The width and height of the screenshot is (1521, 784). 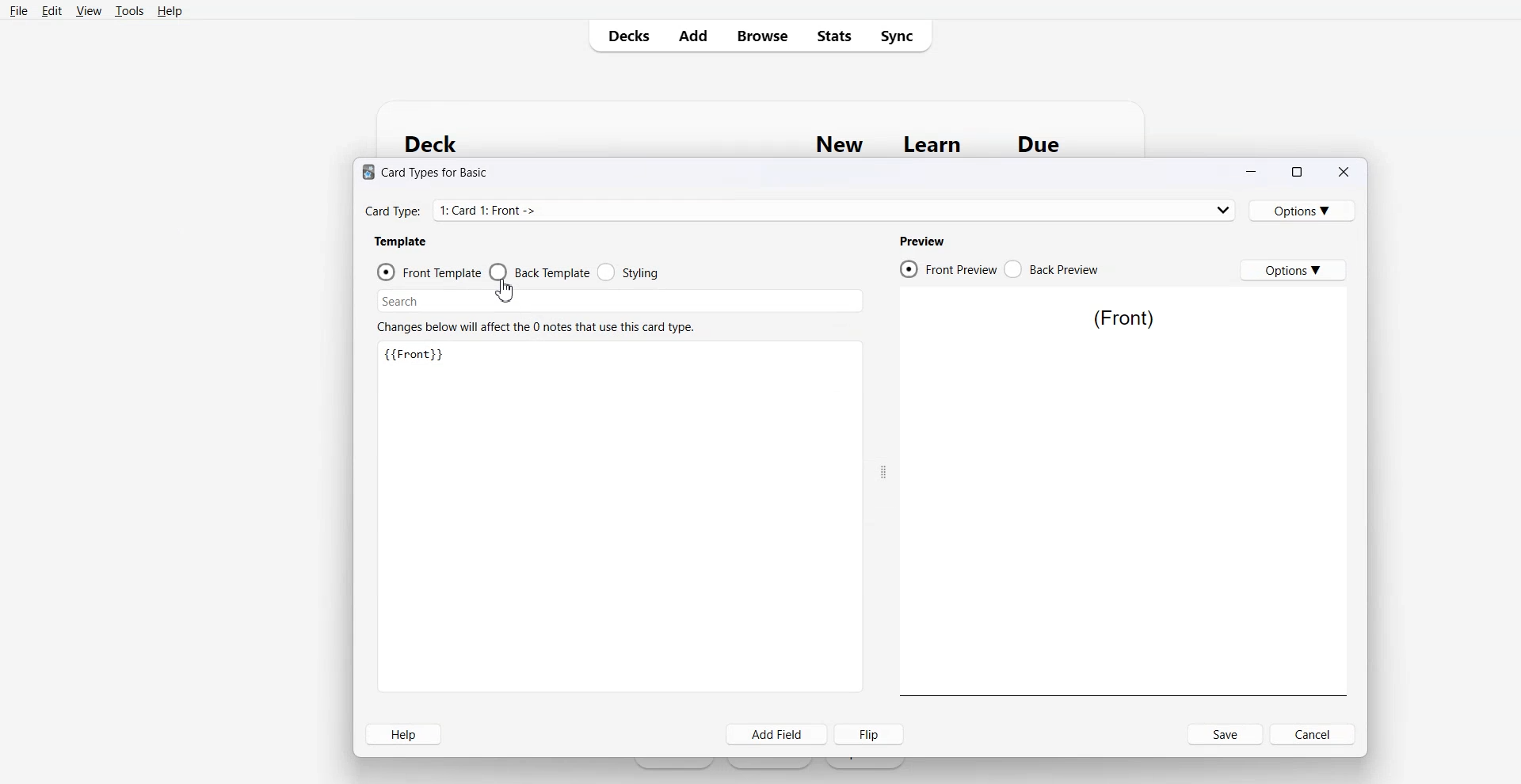 What do you see at coordinates (169, 11) in the screenshot?
I see `Help` at bounding box center [169, 11].